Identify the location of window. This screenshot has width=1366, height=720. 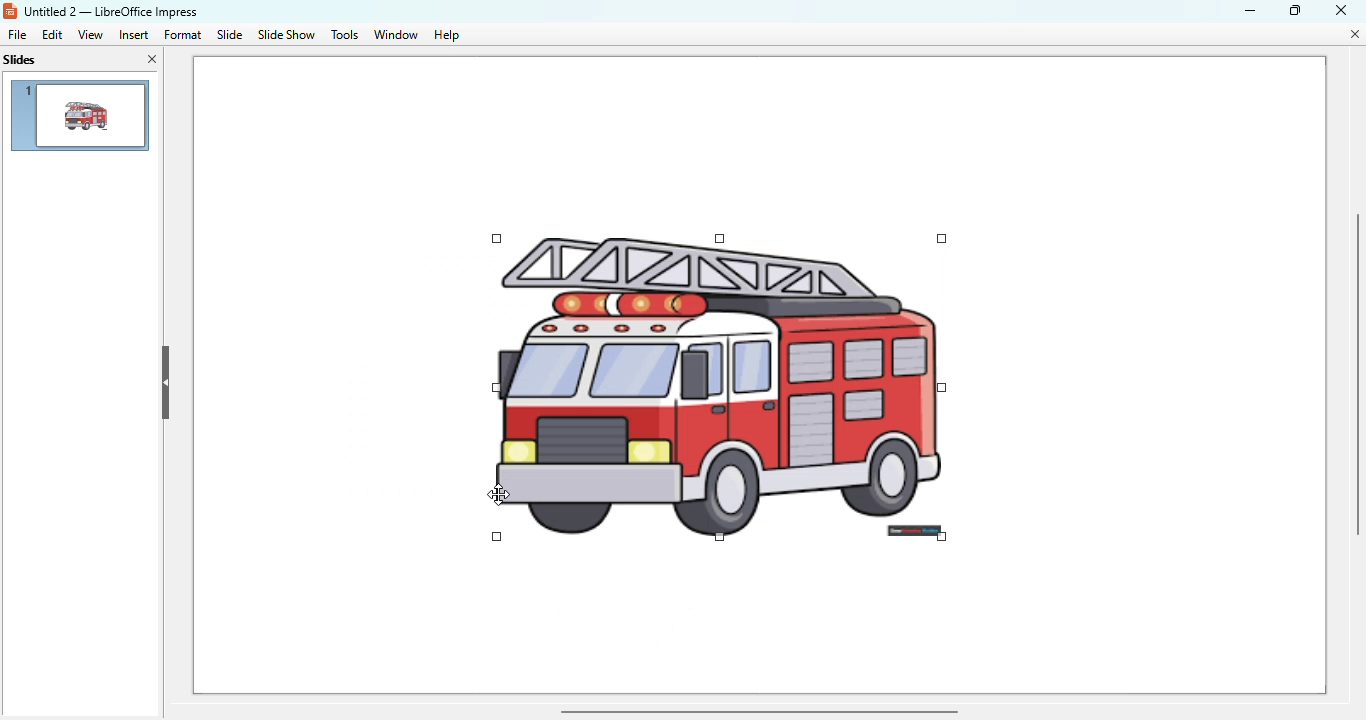
(394, 34).